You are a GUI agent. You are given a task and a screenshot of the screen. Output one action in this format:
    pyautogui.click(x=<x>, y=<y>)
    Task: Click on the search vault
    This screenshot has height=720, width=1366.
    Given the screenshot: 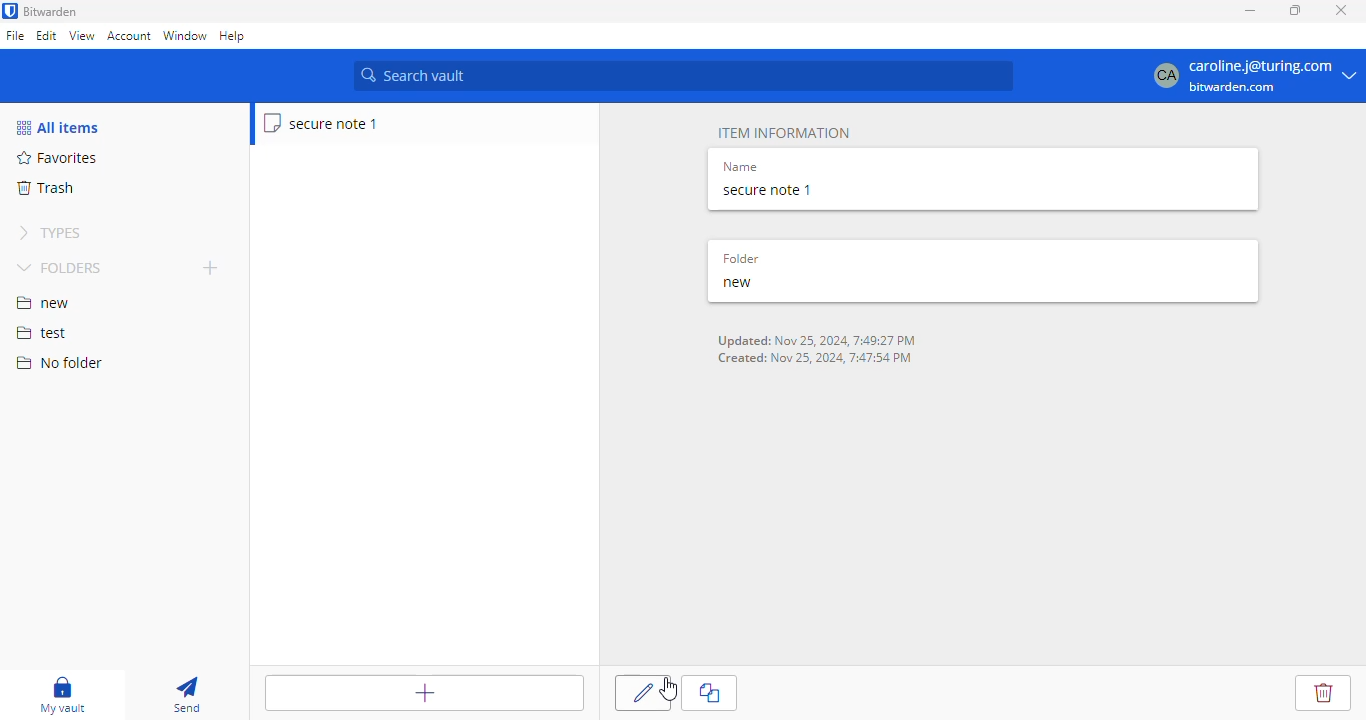 What is the action you would take?
    pyautogui.click(x=683, y=76)
    